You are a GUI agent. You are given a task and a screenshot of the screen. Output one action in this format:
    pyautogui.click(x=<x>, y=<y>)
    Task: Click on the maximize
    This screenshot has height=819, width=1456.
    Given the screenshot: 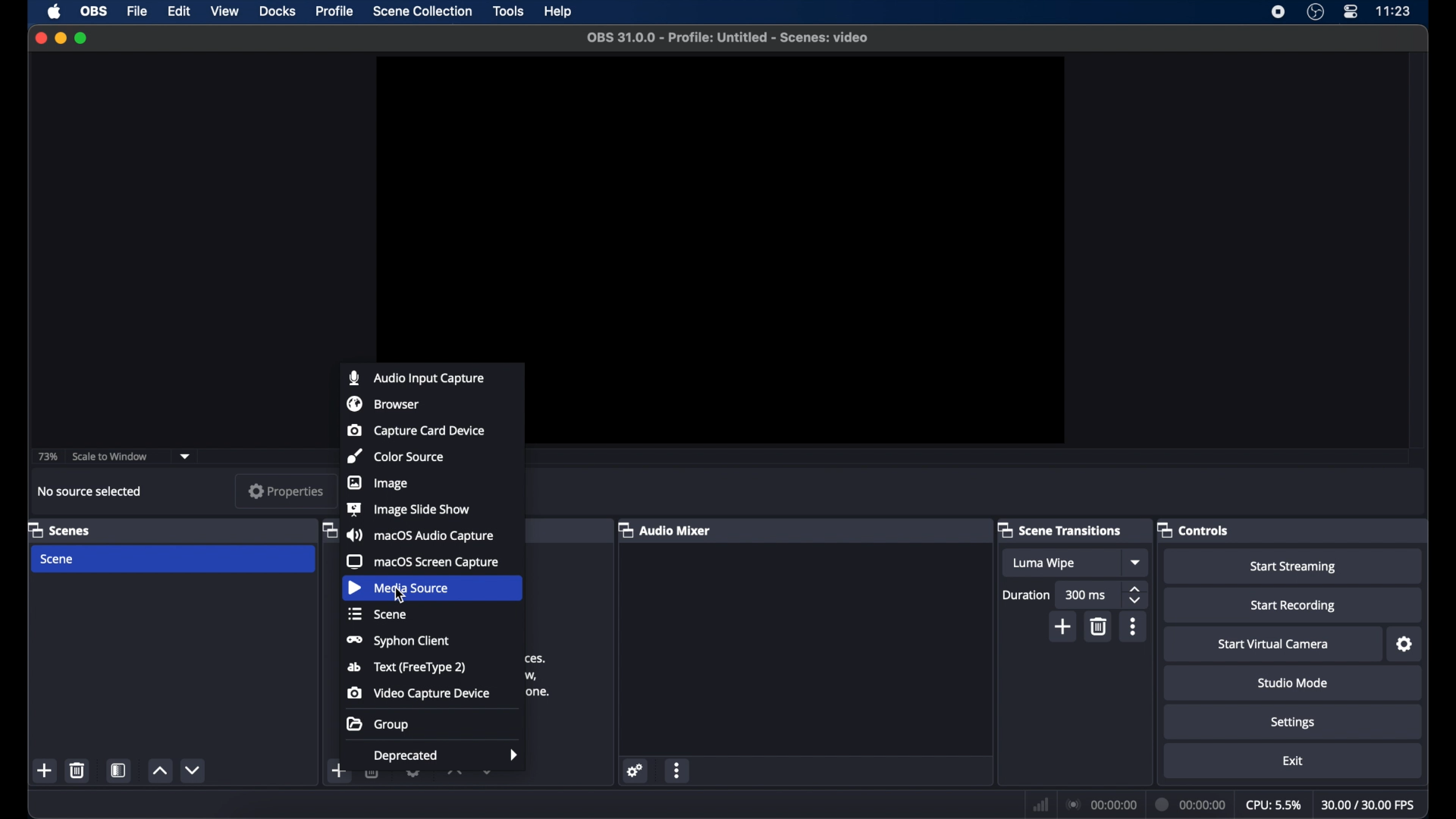 What is the action you would take?
    pyautogui.click(x=82, y=38)
    